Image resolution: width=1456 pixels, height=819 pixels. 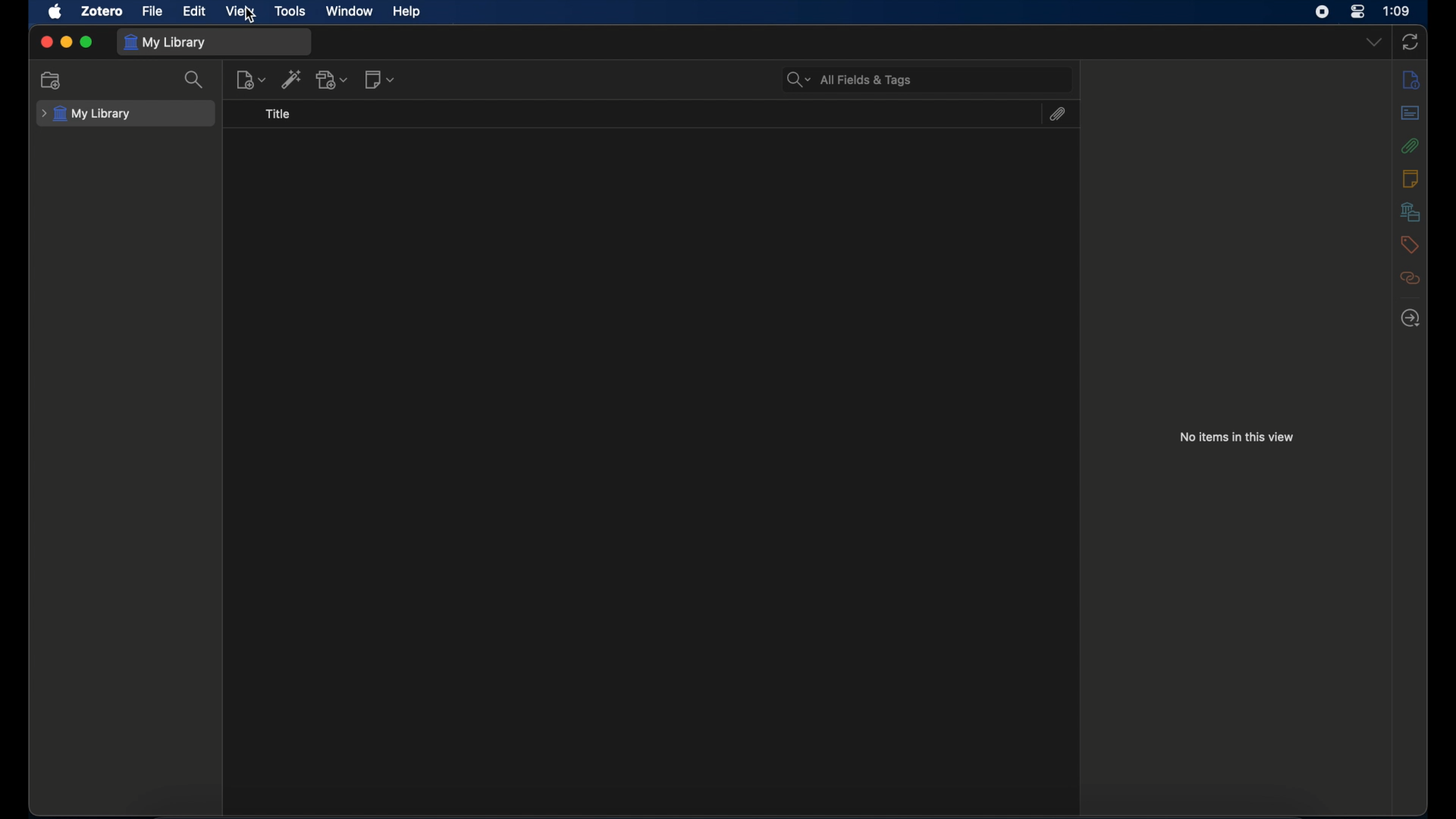 What do you see at coordinates (1357, 11) in the screenshot?
I see `control center` at bounding box center [1357, 11].